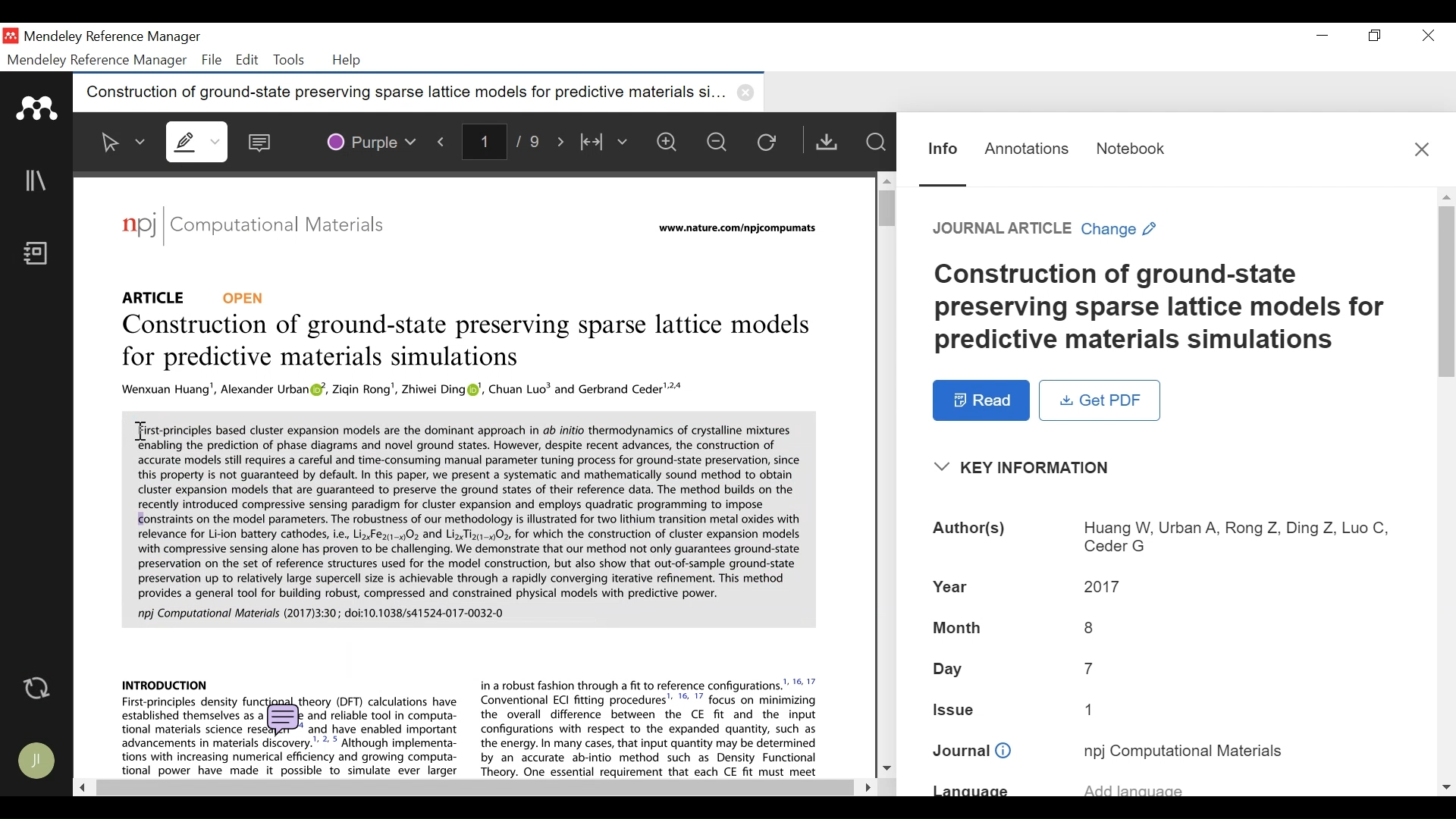  What do you see at coordinates (1090, 627) in the screenshot?
I see `Month` at bounding box center [1090, 627].